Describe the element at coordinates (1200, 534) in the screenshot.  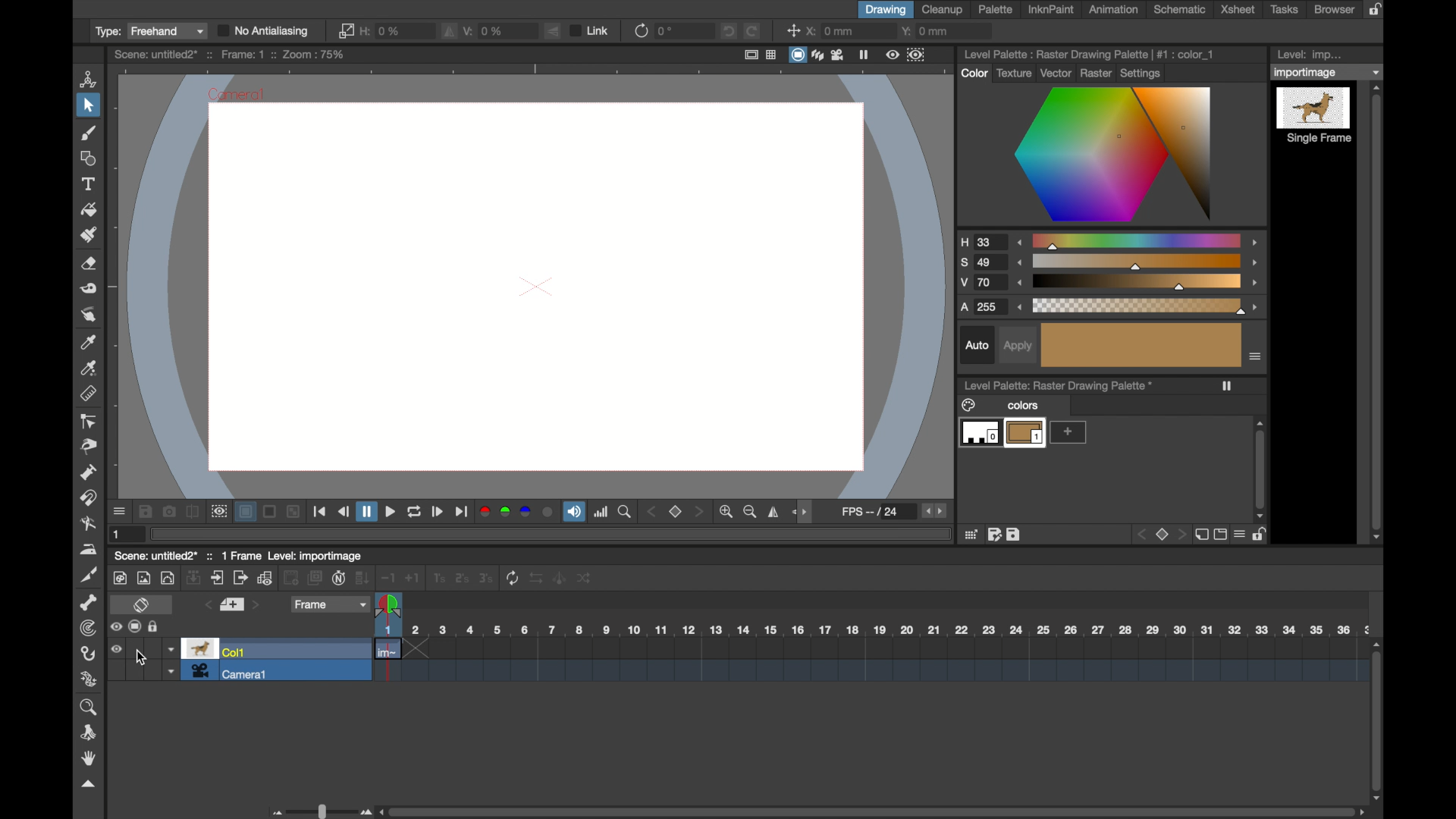
I see `new page` at that location.